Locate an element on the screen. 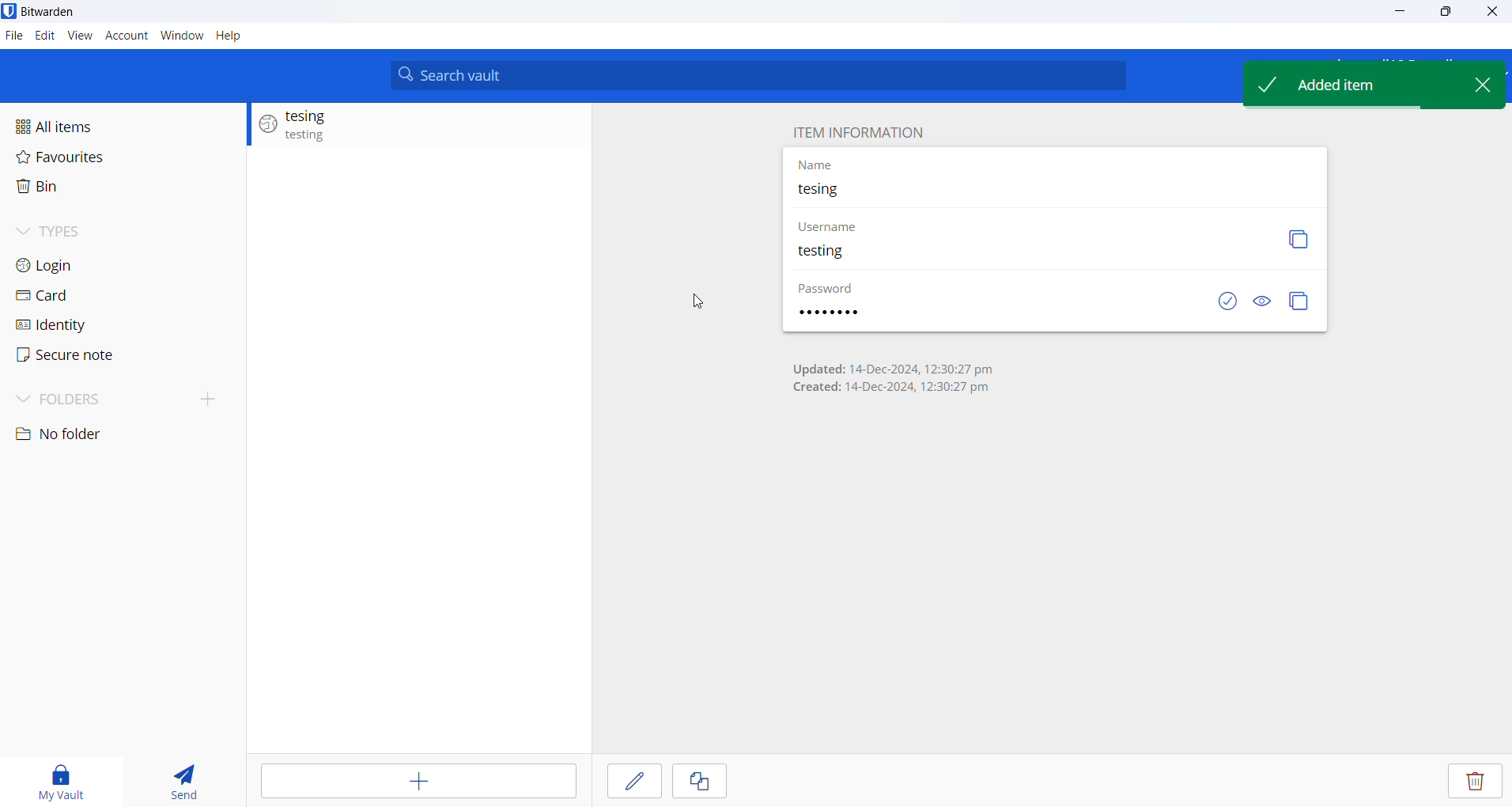 The image size is (1512, 807). close is located at coordinates (1489, 86).